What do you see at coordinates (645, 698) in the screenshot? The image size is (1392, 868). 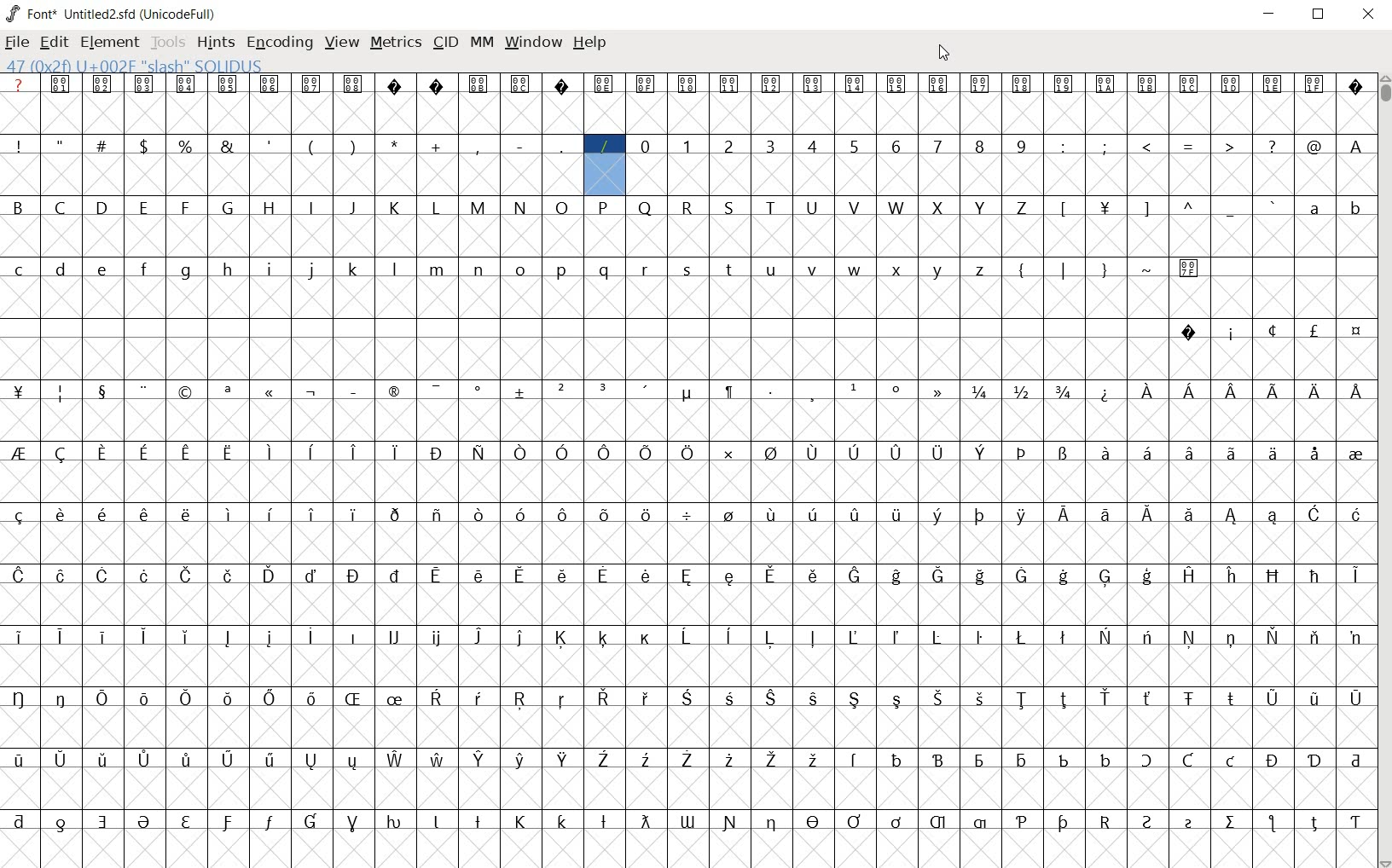 I see `glyph` at bounding box center [645, 698].